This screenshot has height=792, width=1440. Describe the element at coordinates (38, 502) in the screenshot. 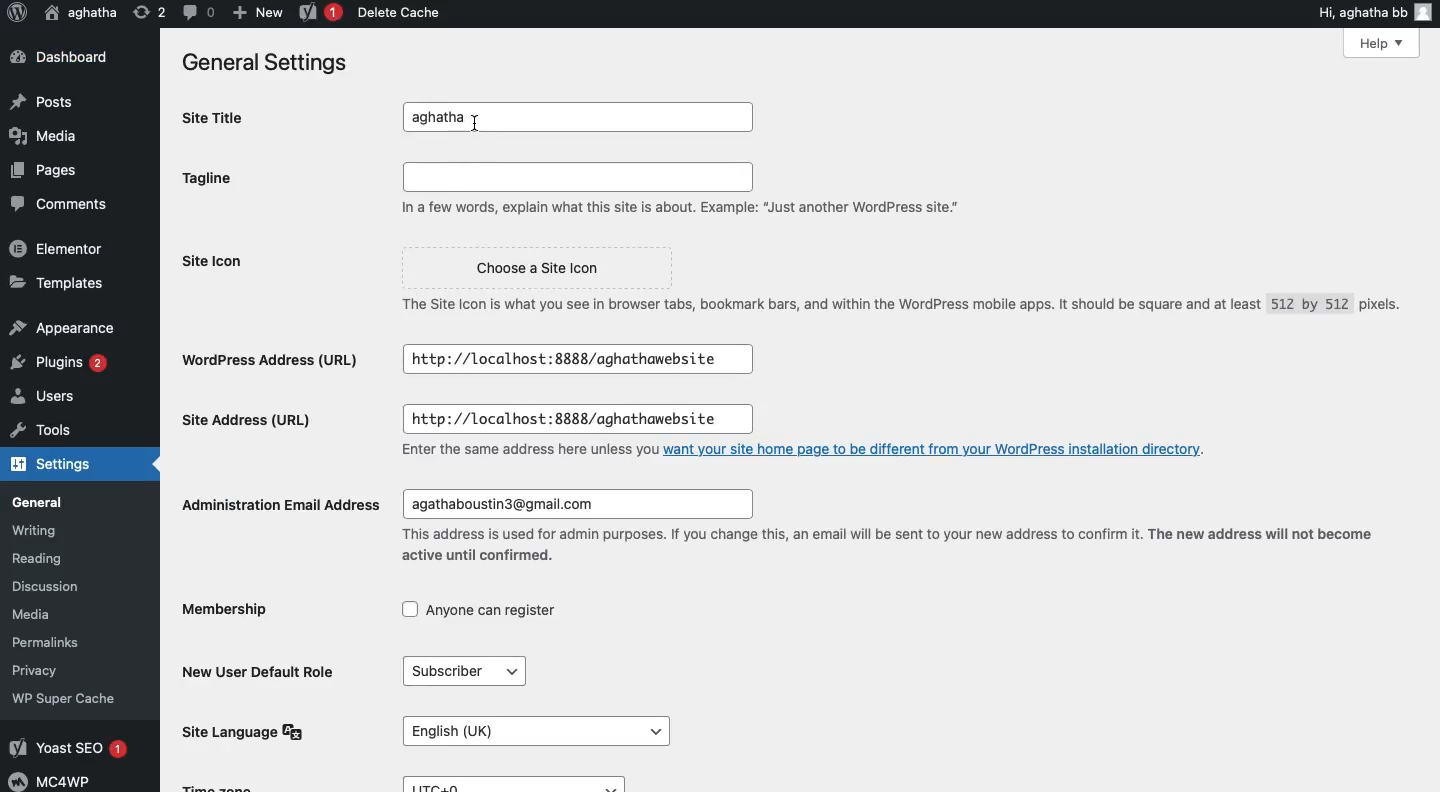

I see `General` at that location.